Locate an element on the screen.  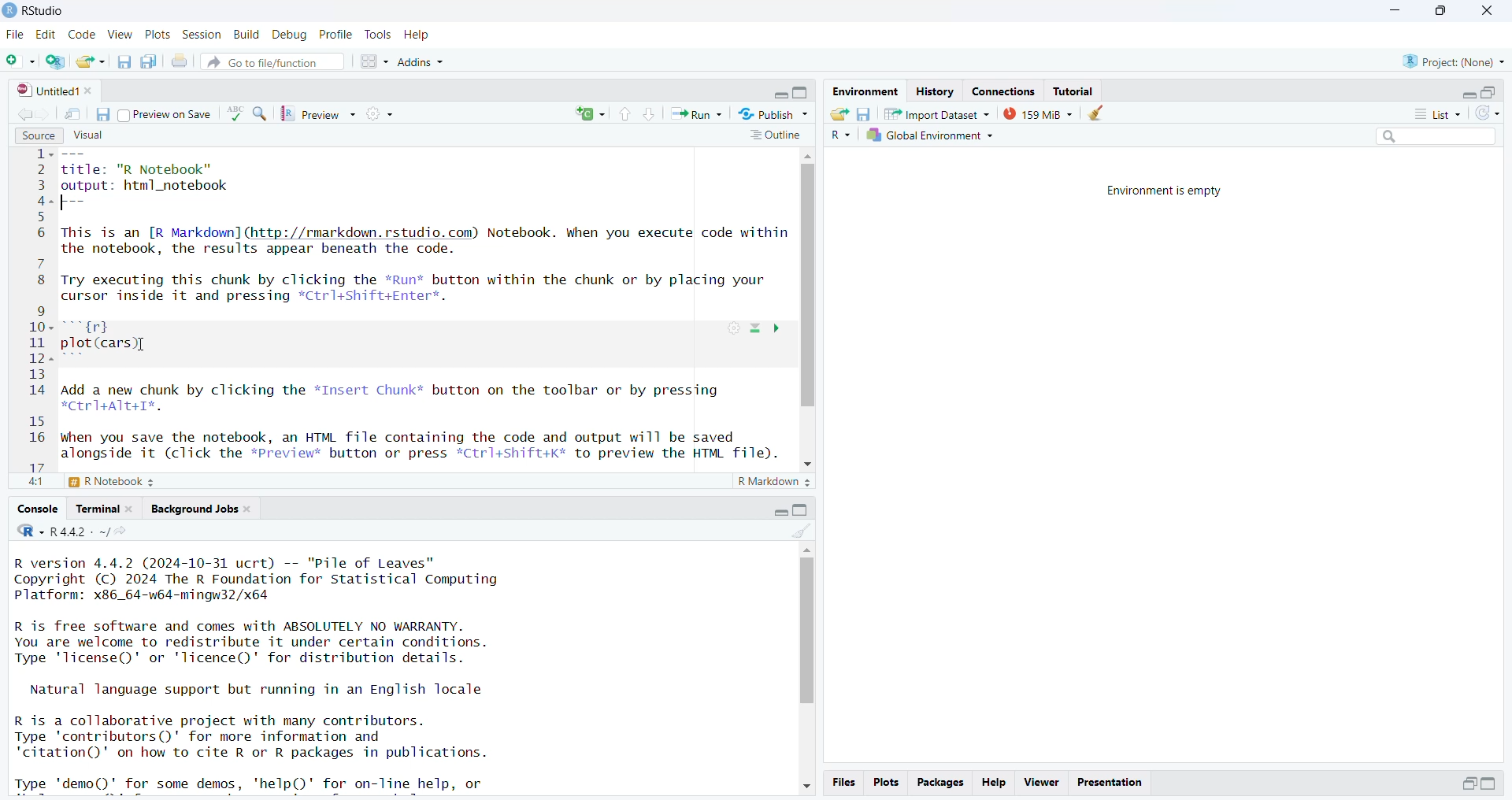
R is located at coordinates (838, 136).